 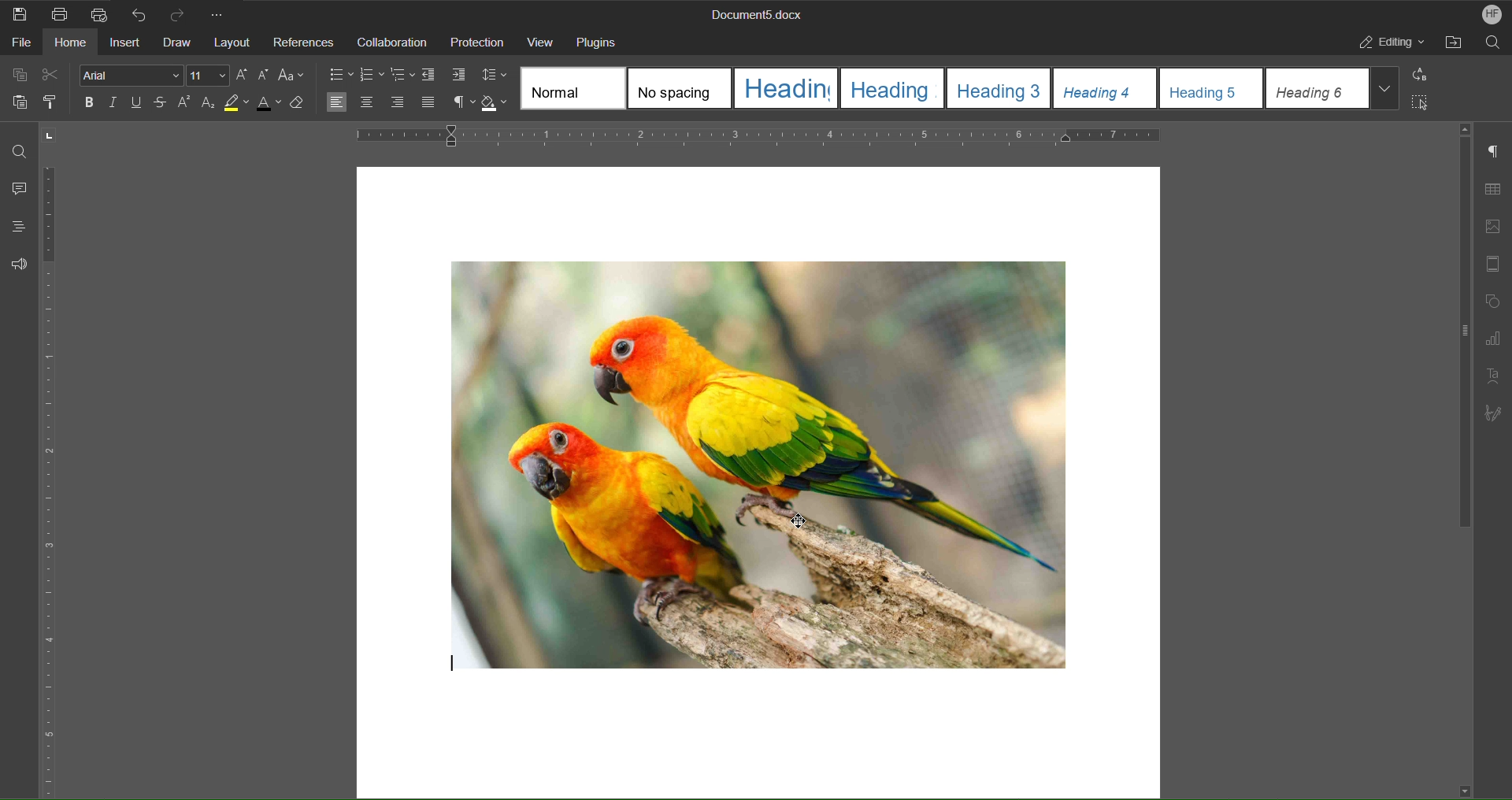 I want to click on Non-Printing Characters, so click(x=458, y=103).